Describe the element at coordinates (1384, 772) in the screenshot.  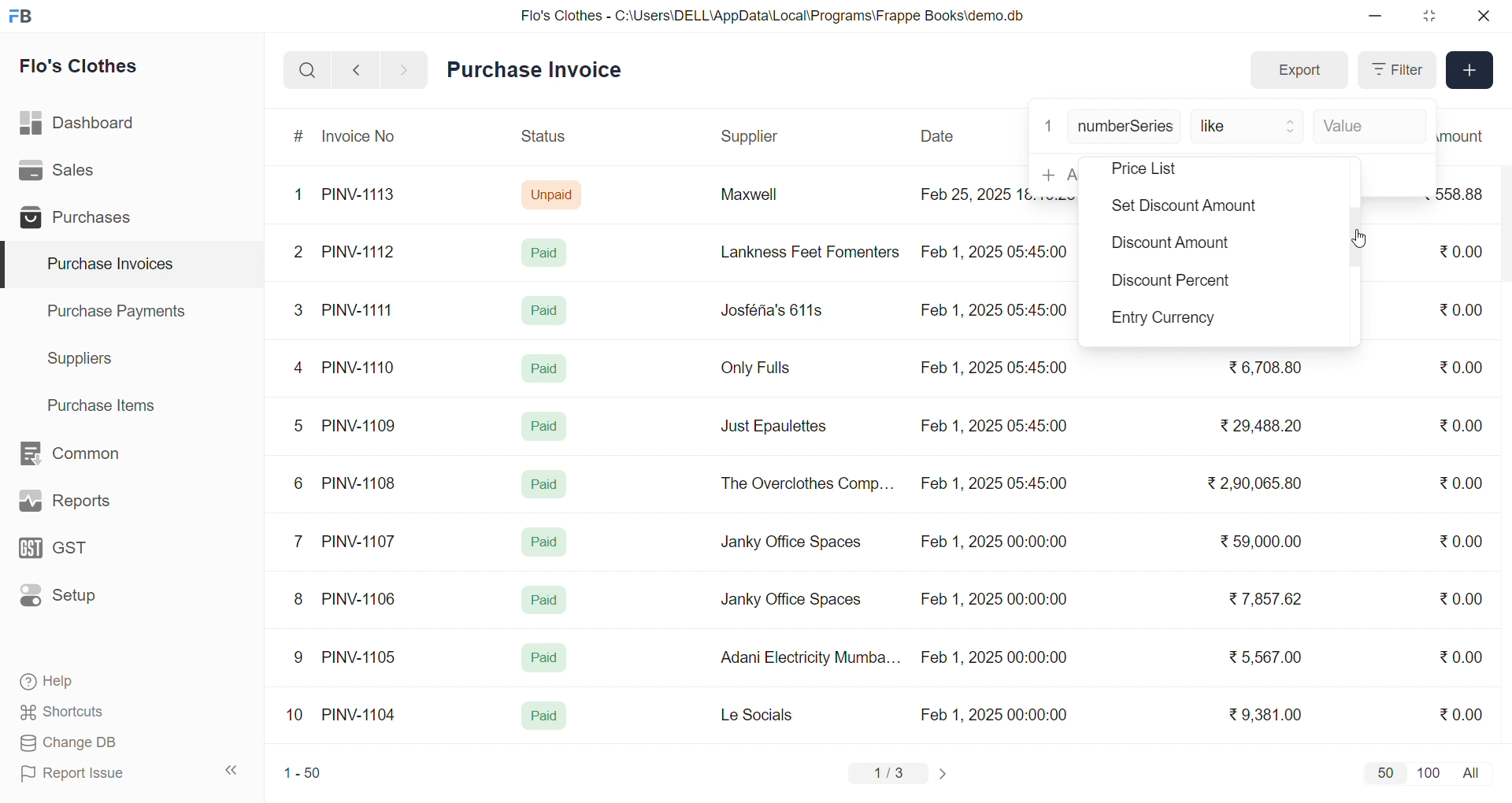
I see `50` at that location.